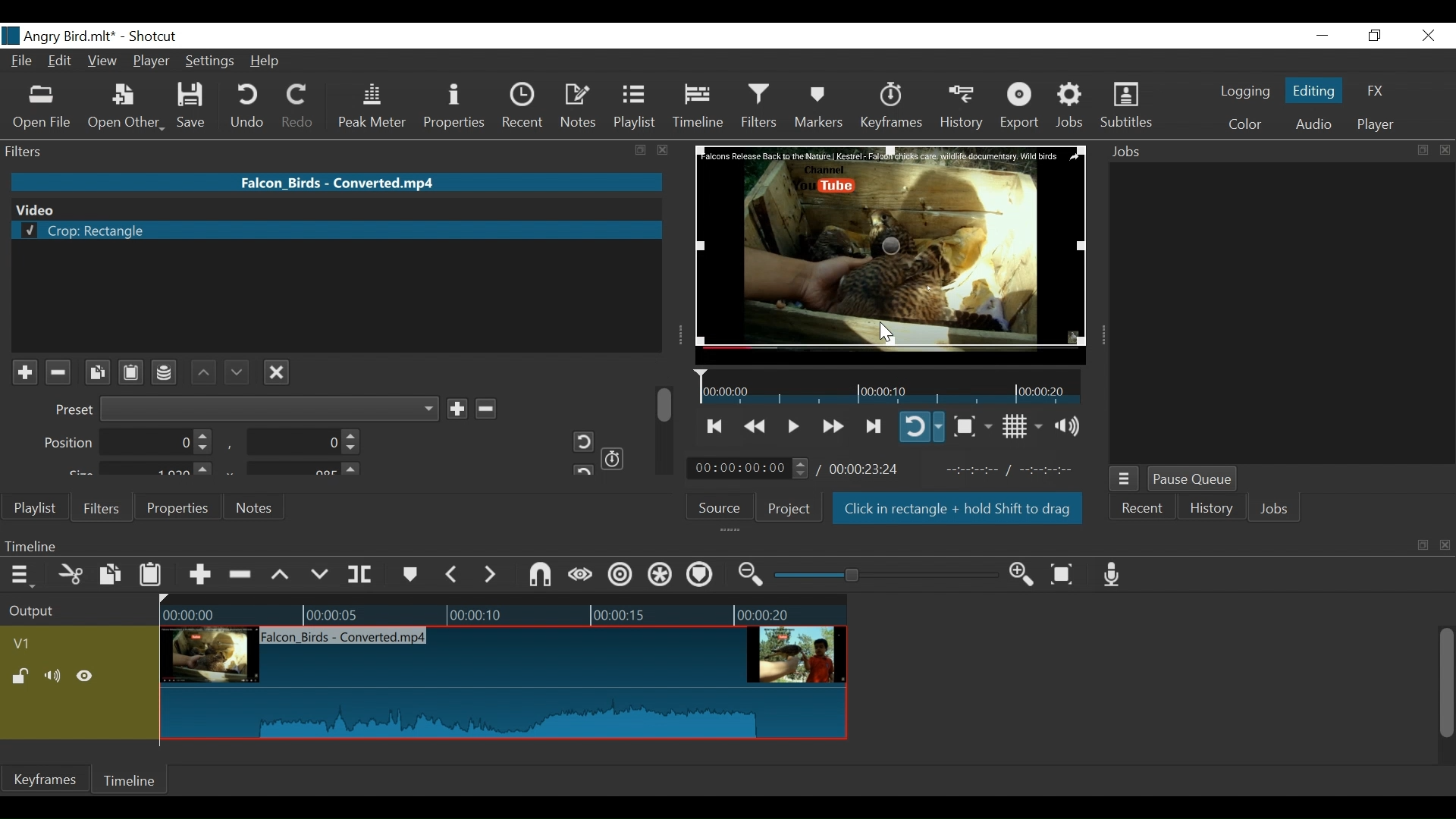 This screenshot has height=819, width=1456. I want to click on Save, so click(196, 106).